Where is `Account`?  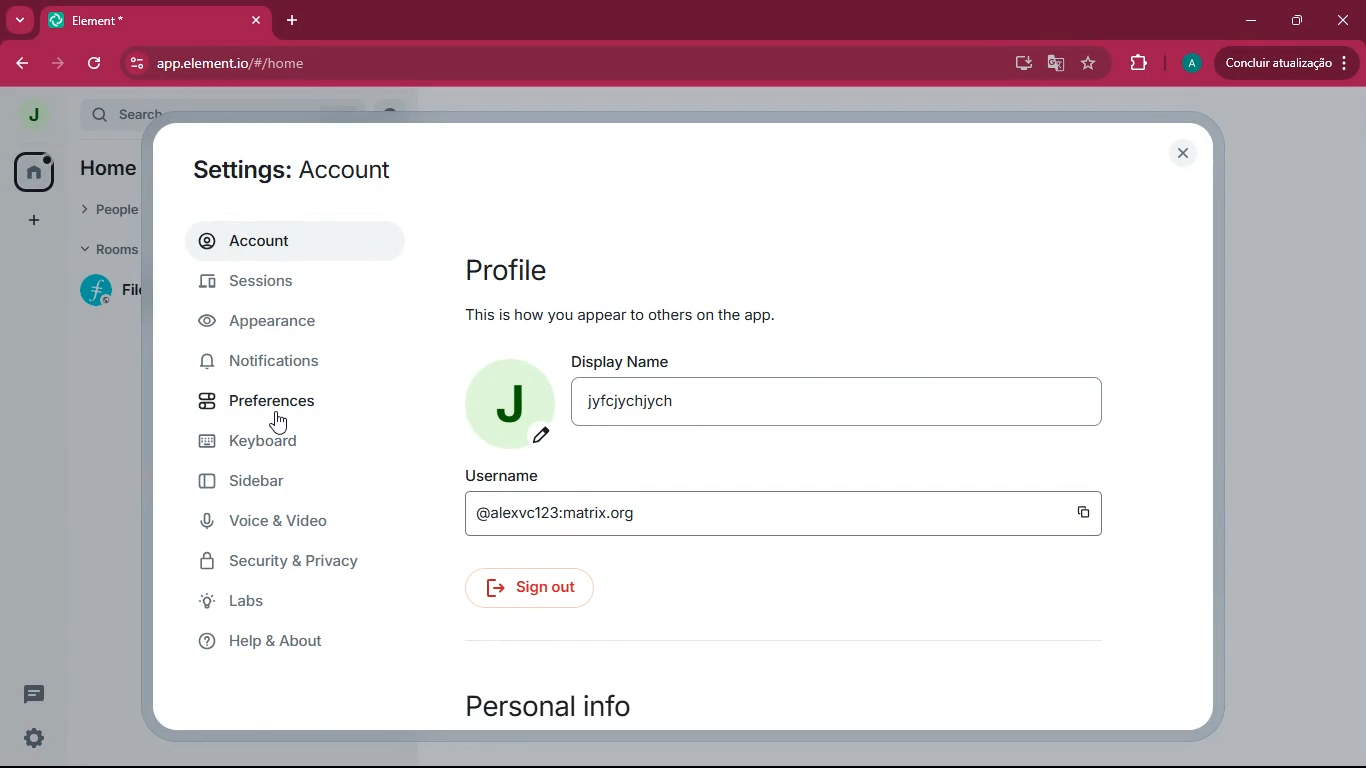 Account is located at coordinates (283, 241).